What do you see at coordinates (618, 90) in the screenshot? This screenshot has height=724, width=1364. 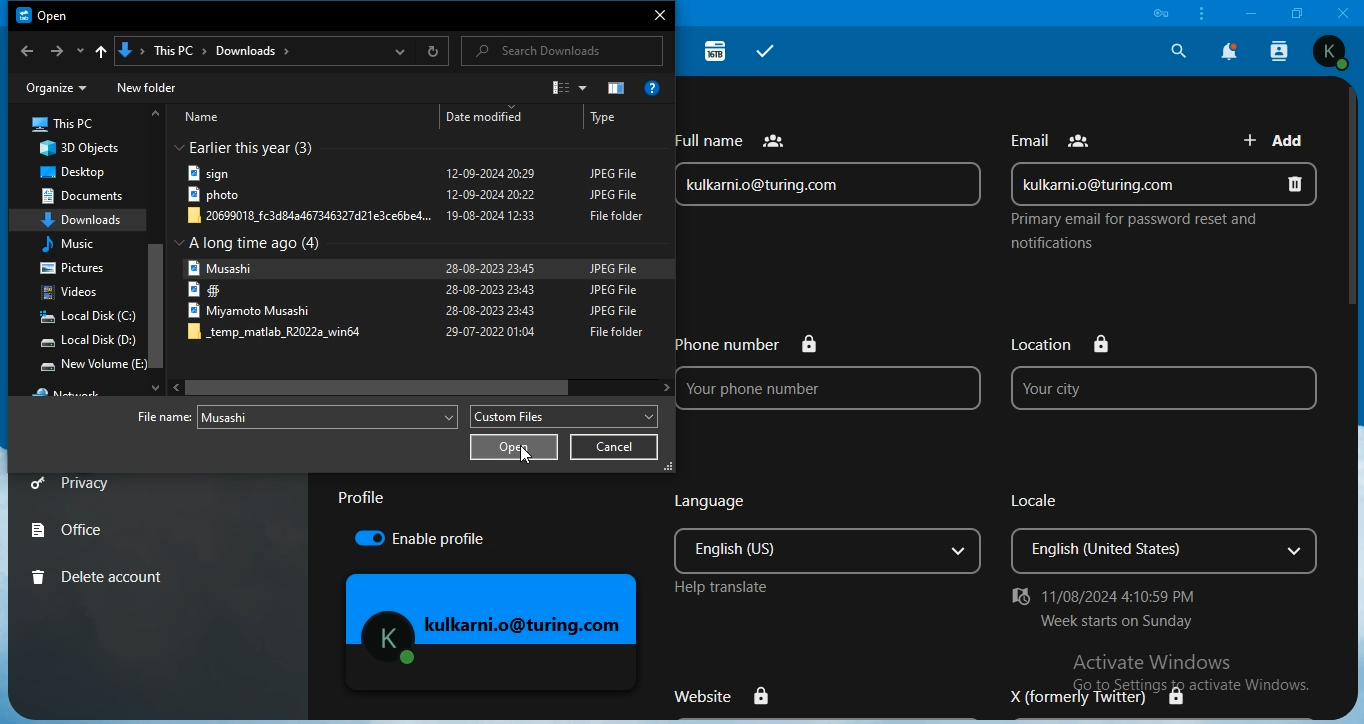 I see `icon` at bounding box center [618, 90].